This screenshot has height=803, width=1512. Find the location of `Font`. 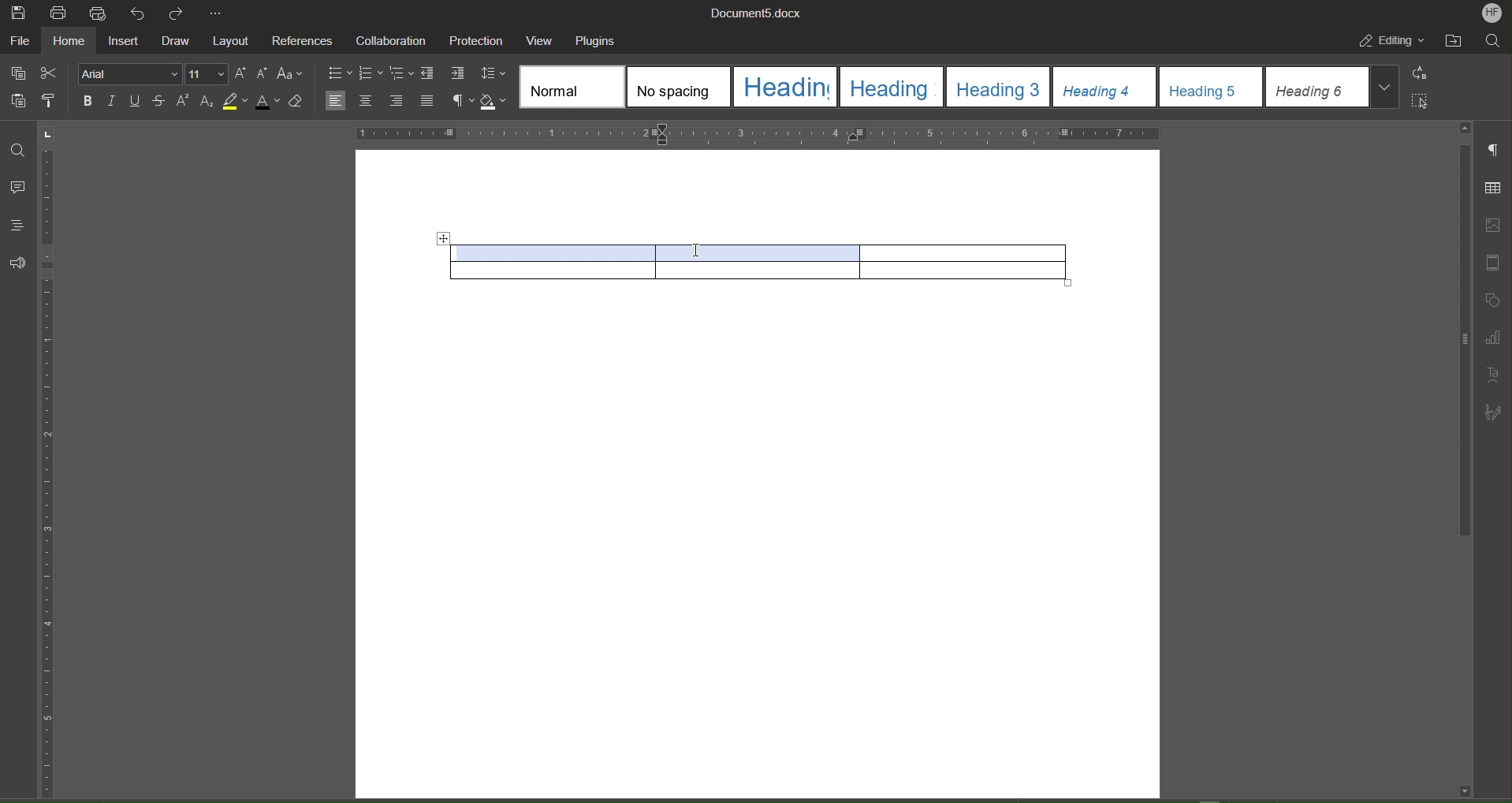

Font is located at coordinates (128, 75).